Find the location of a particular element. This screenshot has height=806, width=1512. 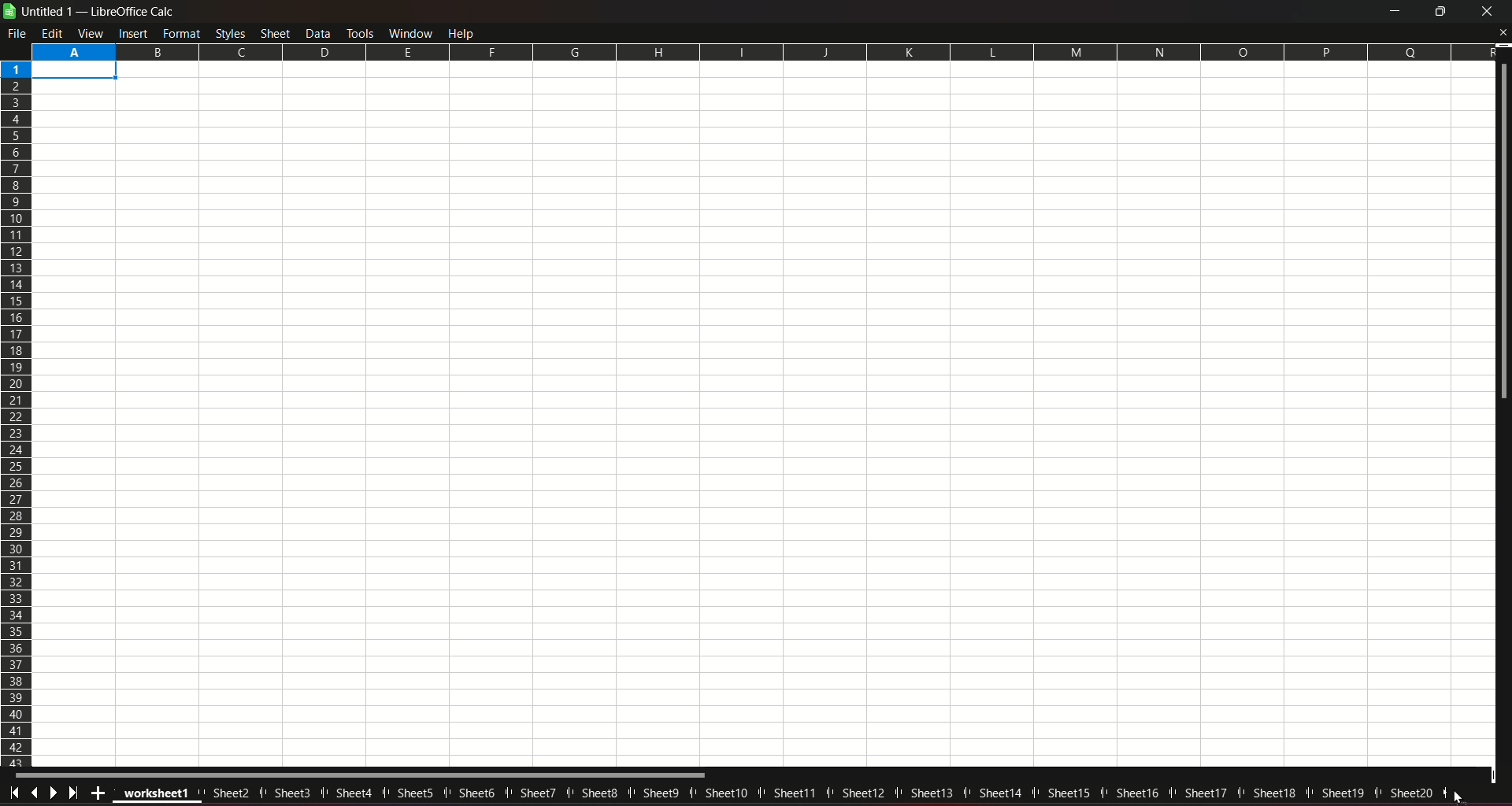

scrollbar is located at coordinates (362, 775).